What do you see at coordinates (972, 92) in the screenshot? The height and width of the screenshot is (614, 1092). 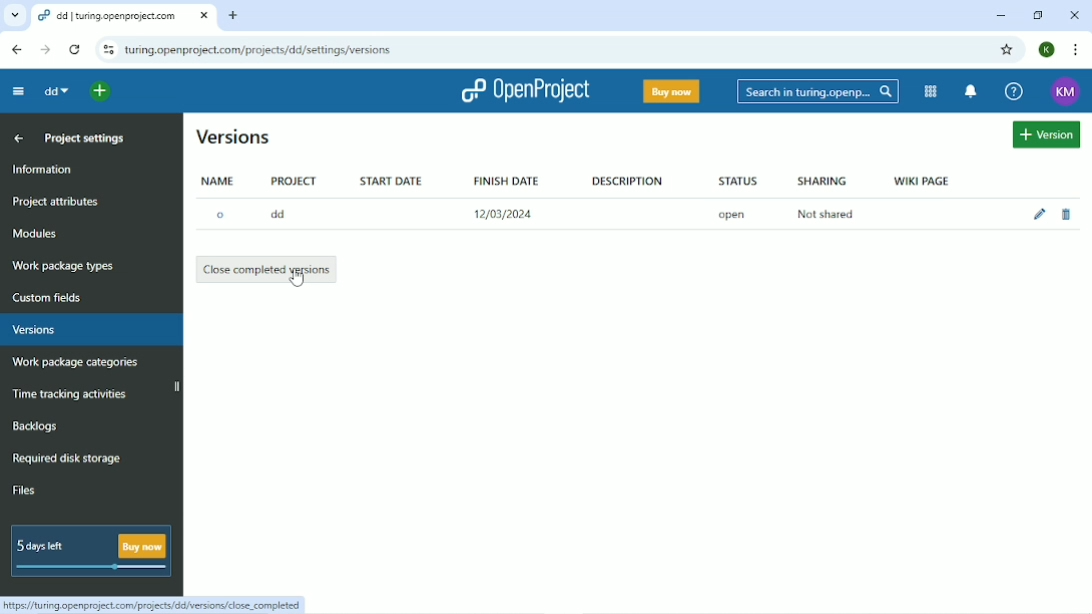 I see `notification` at bounding box center [972, 92].